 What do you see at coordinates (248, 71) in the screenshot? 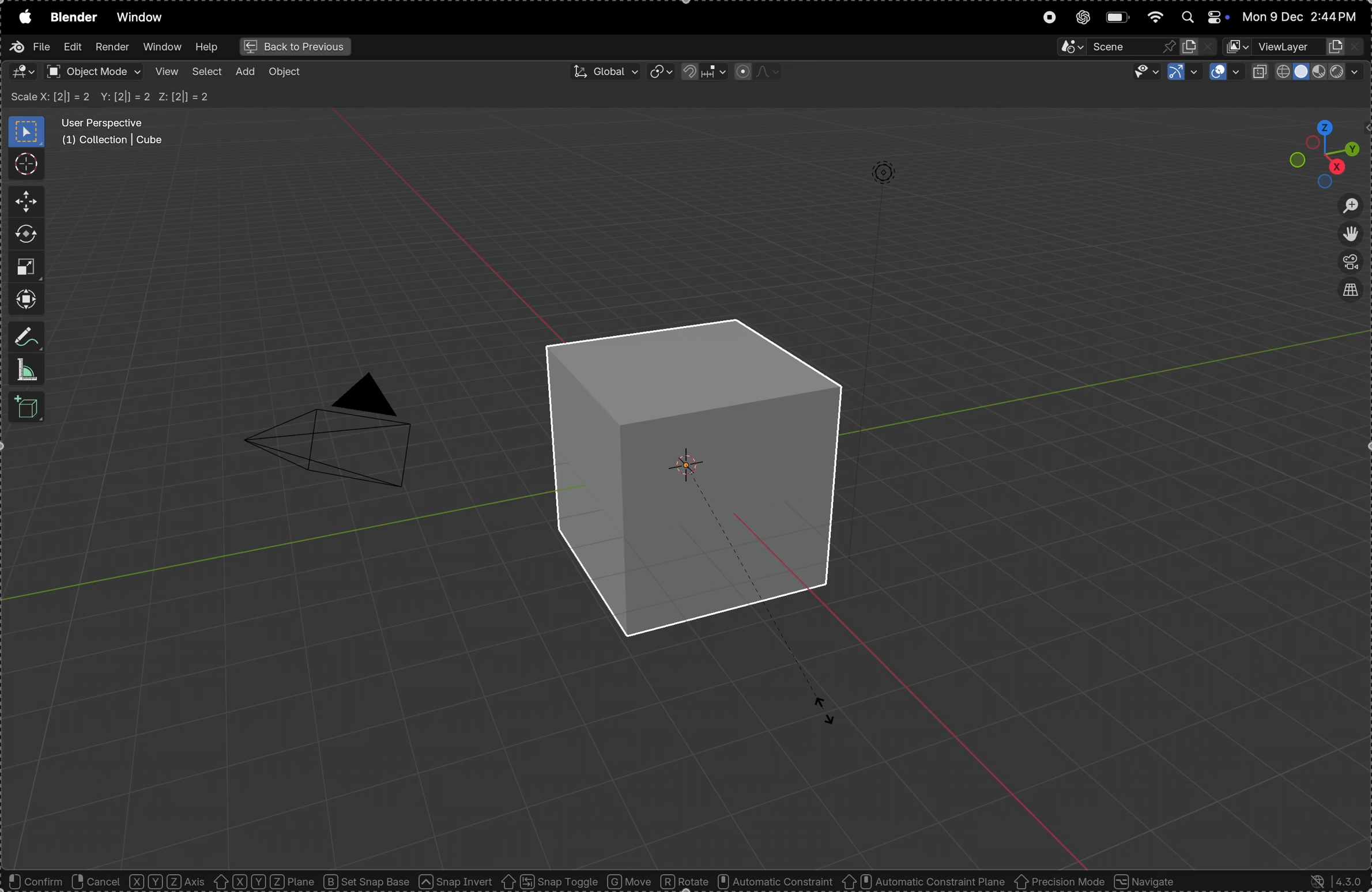
I see `add` at bounding box center [248, 71].